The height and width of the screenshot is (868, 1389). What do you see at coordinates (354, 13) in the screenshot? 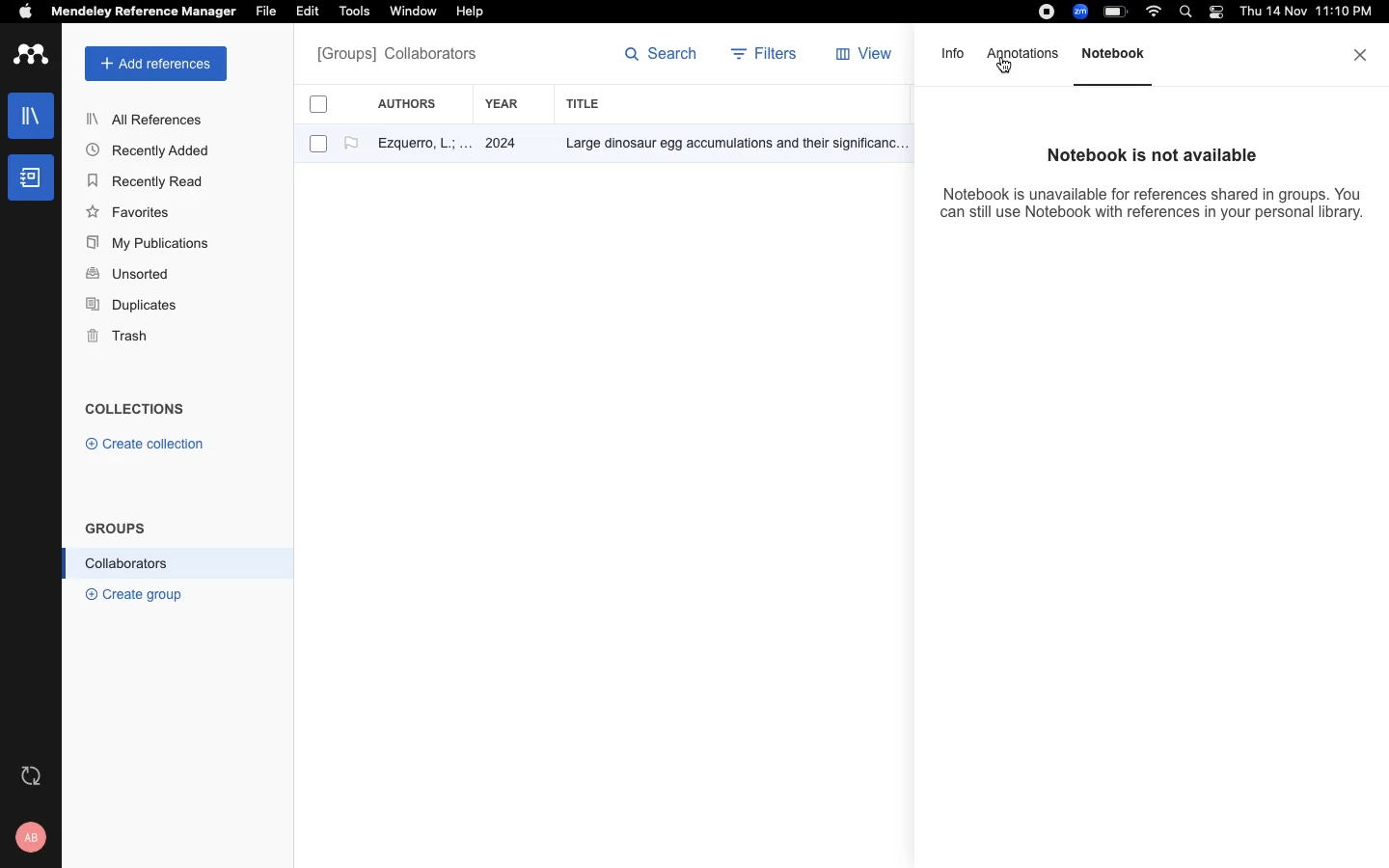
I see `Tools` at bounding box center [354, 13].